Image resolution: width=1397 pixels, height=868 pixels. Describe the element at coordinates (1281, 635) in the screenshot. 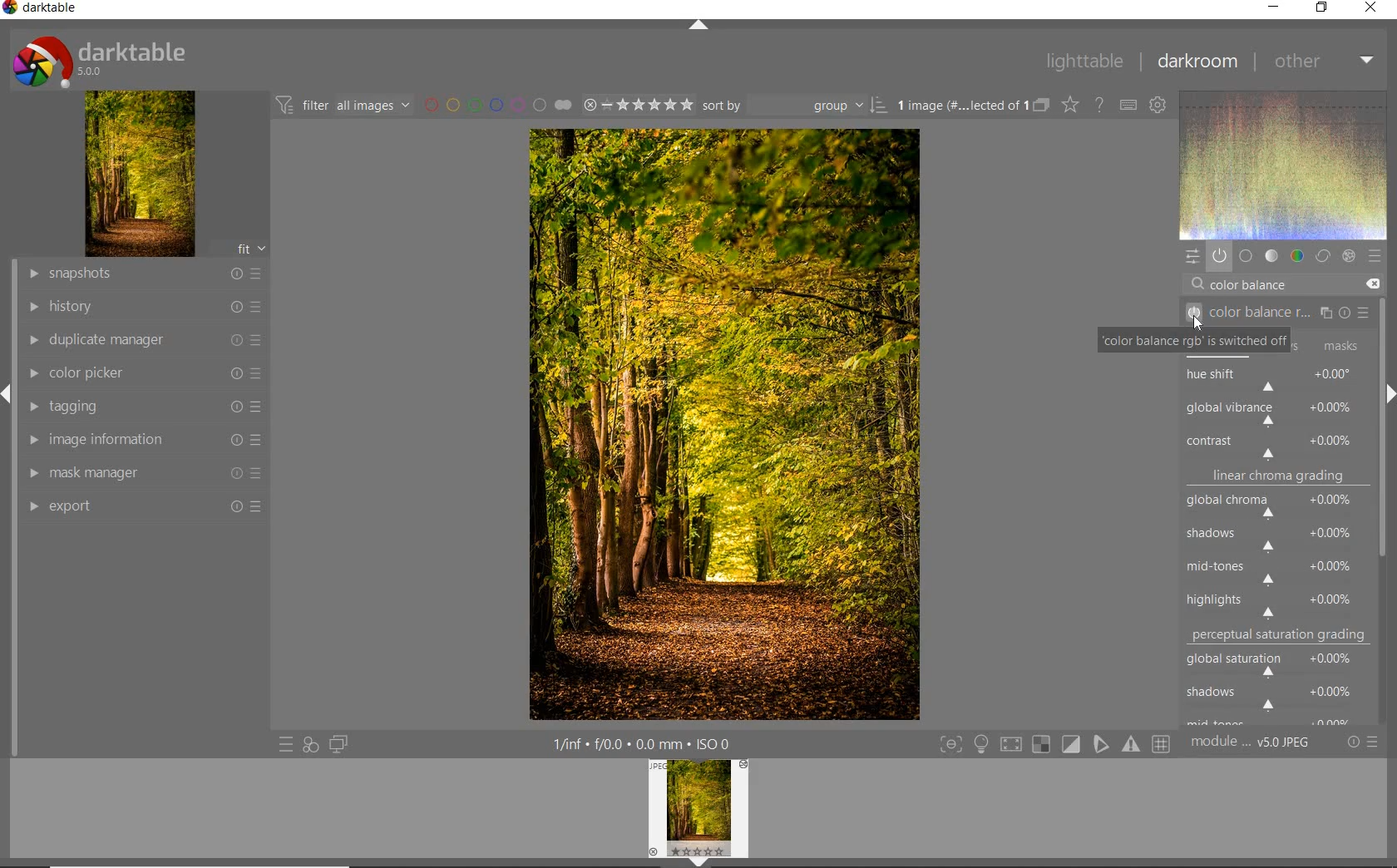

I see `perceptual saturation grading` at that location.